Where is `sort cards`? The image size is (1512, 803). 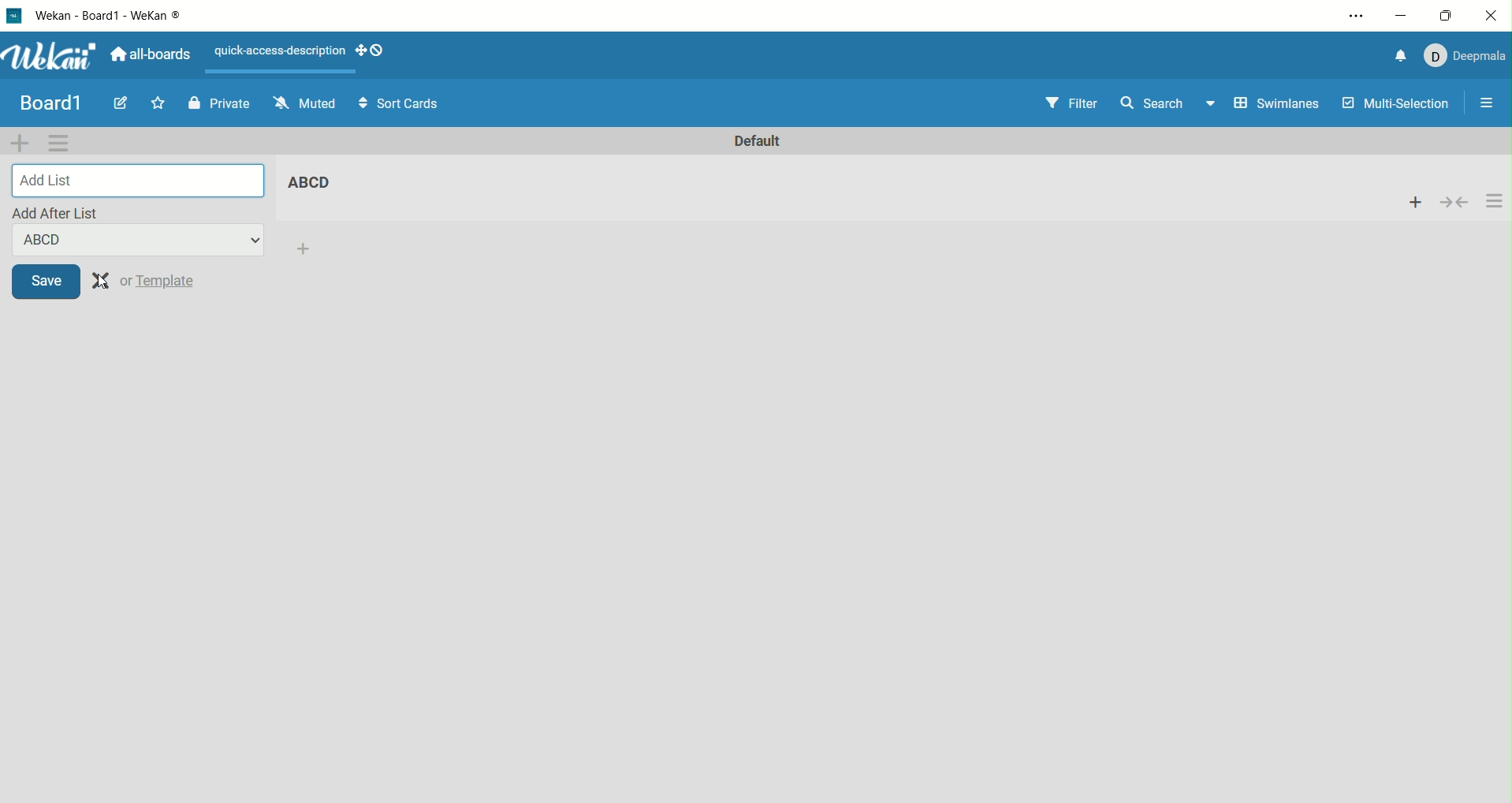 sort cards is located at coordinates (400, 103).